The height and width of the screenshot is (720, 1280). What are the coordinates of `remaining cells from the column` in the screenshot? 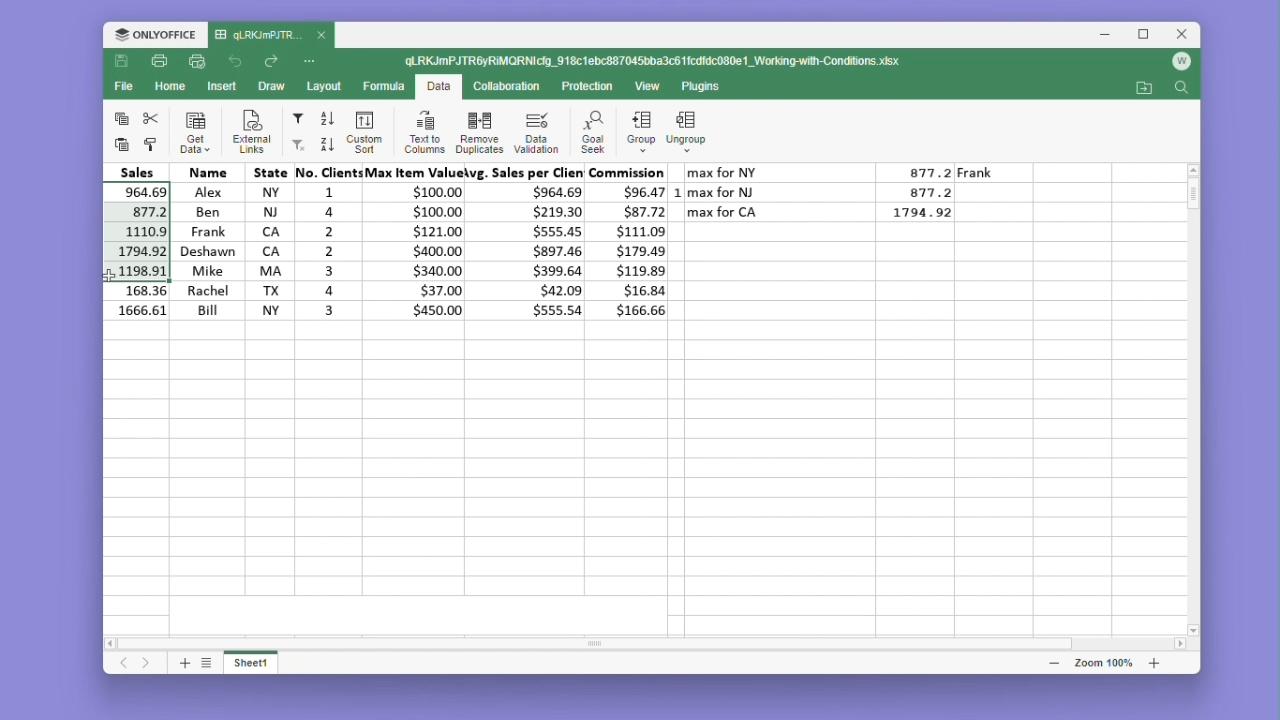 It's located at (140, 303).